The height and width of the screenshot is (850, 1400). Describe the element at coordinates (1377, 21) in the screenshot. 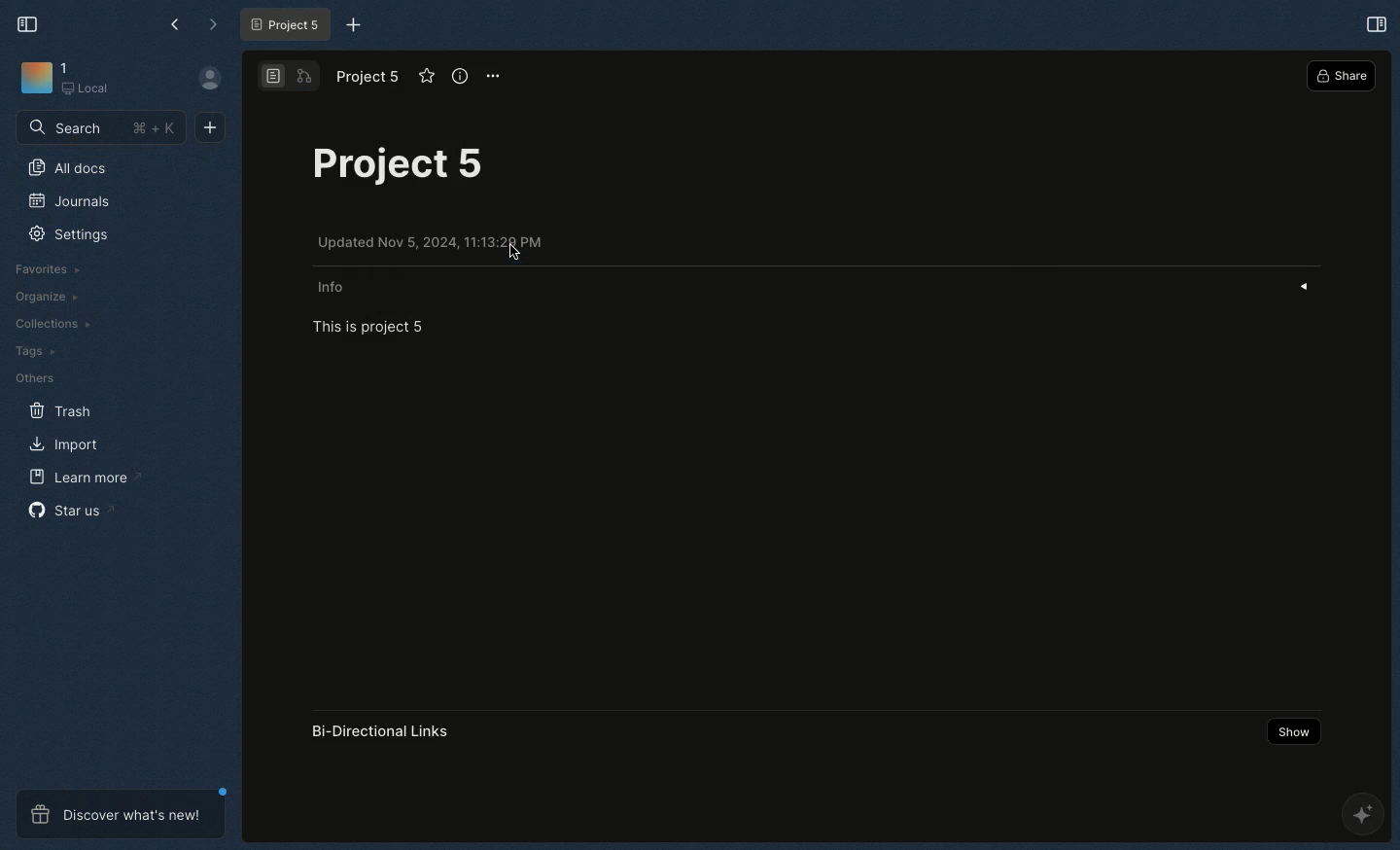

I see `Expand sidebar` at that location.